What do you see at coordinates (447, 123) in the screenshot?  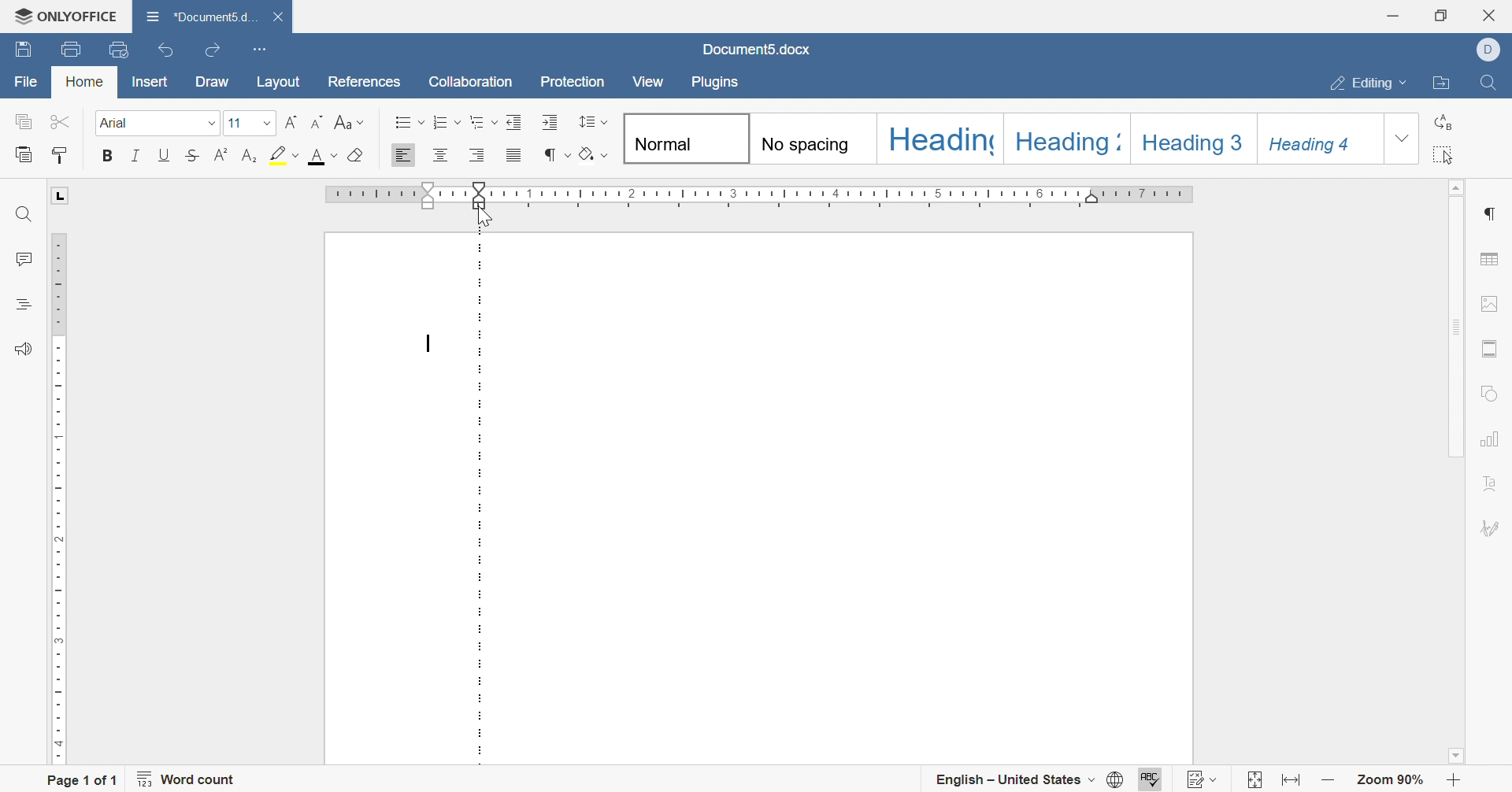 I see `numbering` at bounding box center [447, 123].